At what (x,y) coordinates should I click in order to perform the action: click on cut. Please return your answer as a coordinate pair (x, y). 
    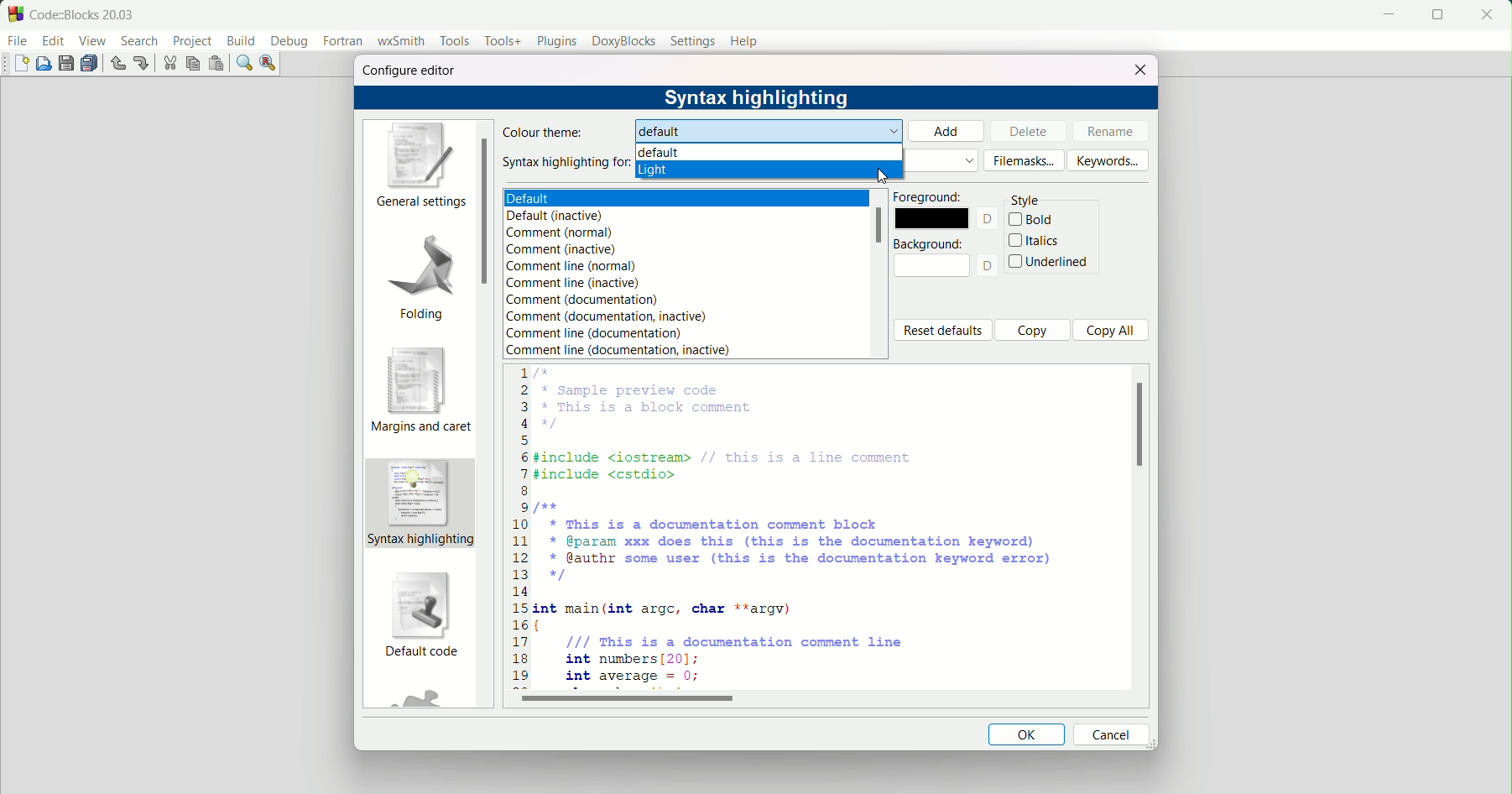
    Looking at the image, I should click on (169, 64).